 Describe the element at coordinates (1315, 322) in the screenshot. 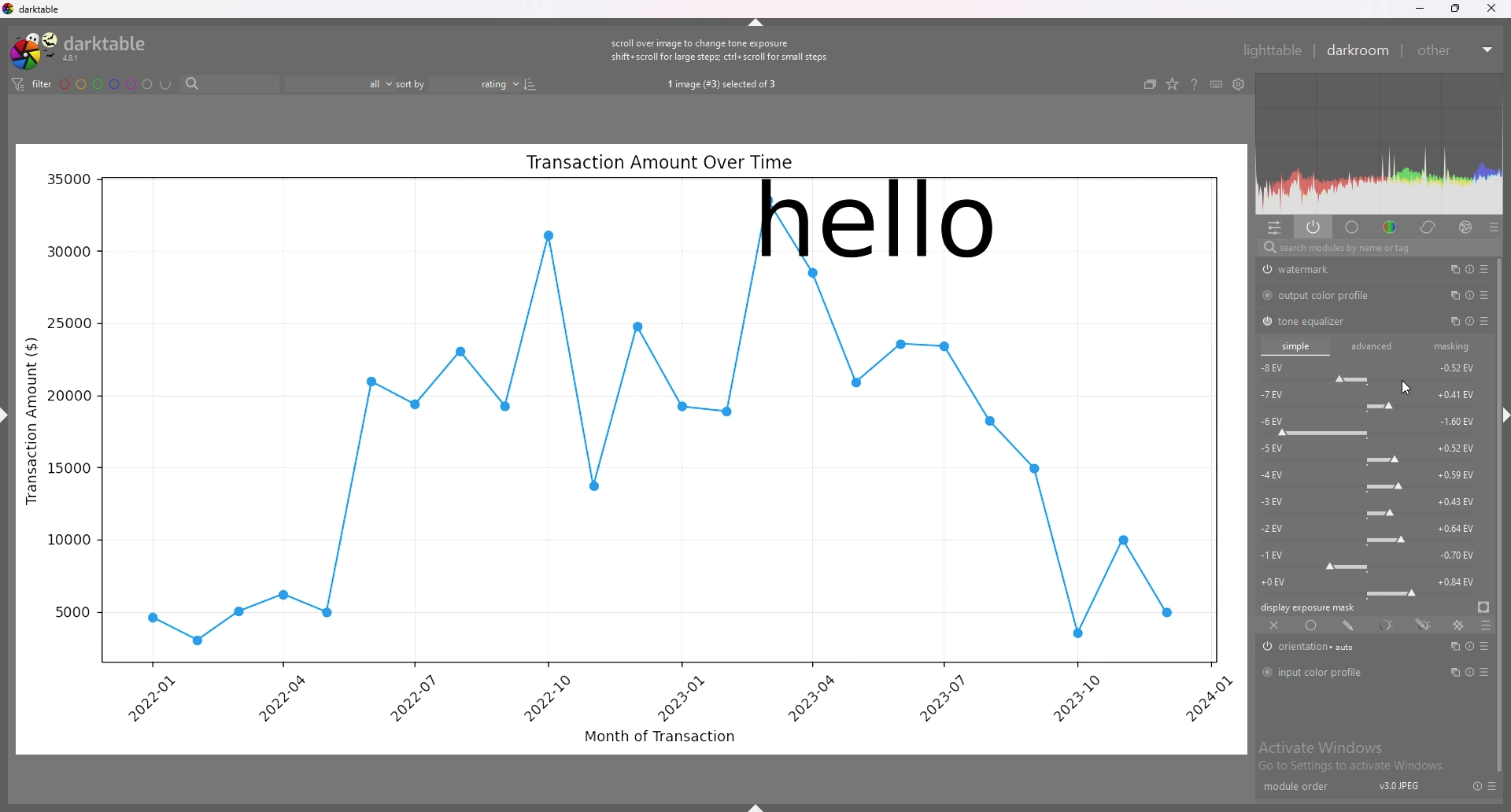

I see `tone equalizer` at that location.